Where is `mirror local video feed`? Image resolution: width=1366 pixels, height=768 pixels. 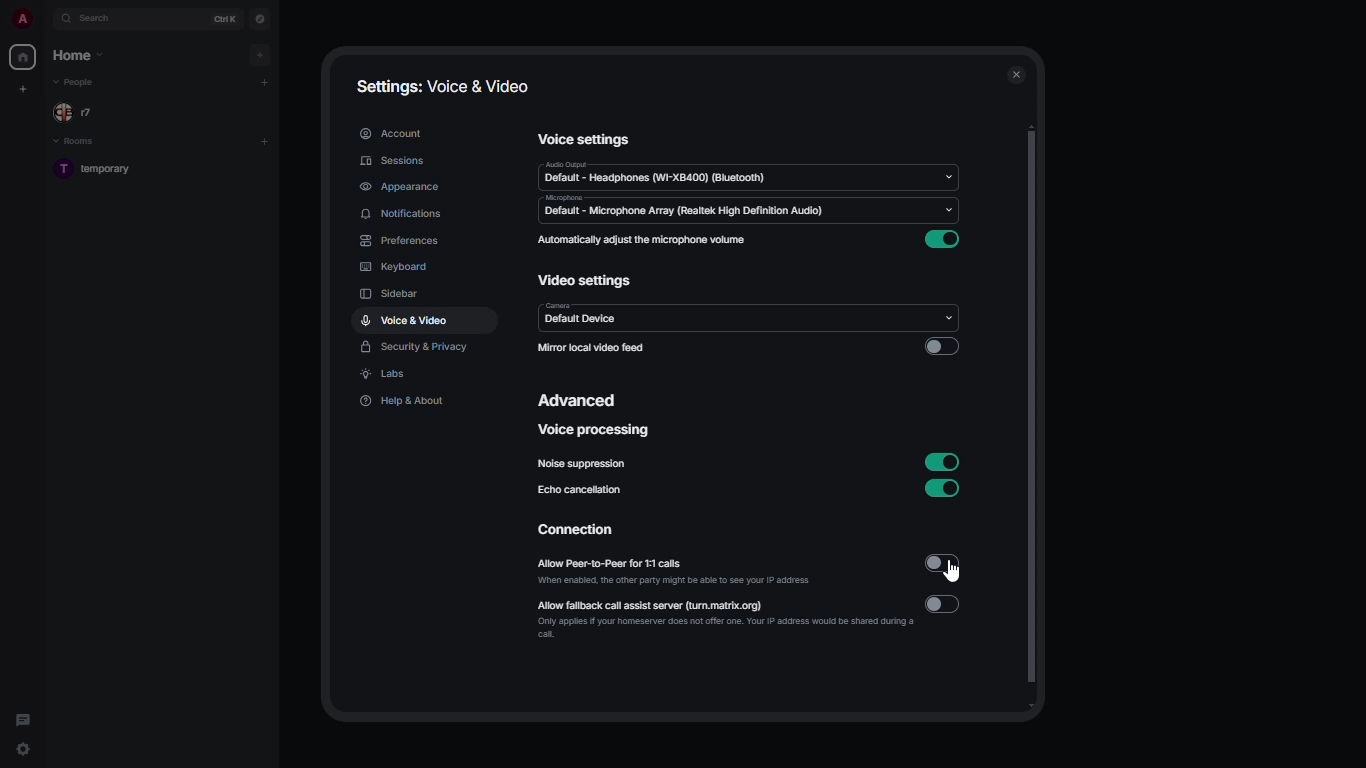
mirror local video feed is located at coordinates (595, 348).